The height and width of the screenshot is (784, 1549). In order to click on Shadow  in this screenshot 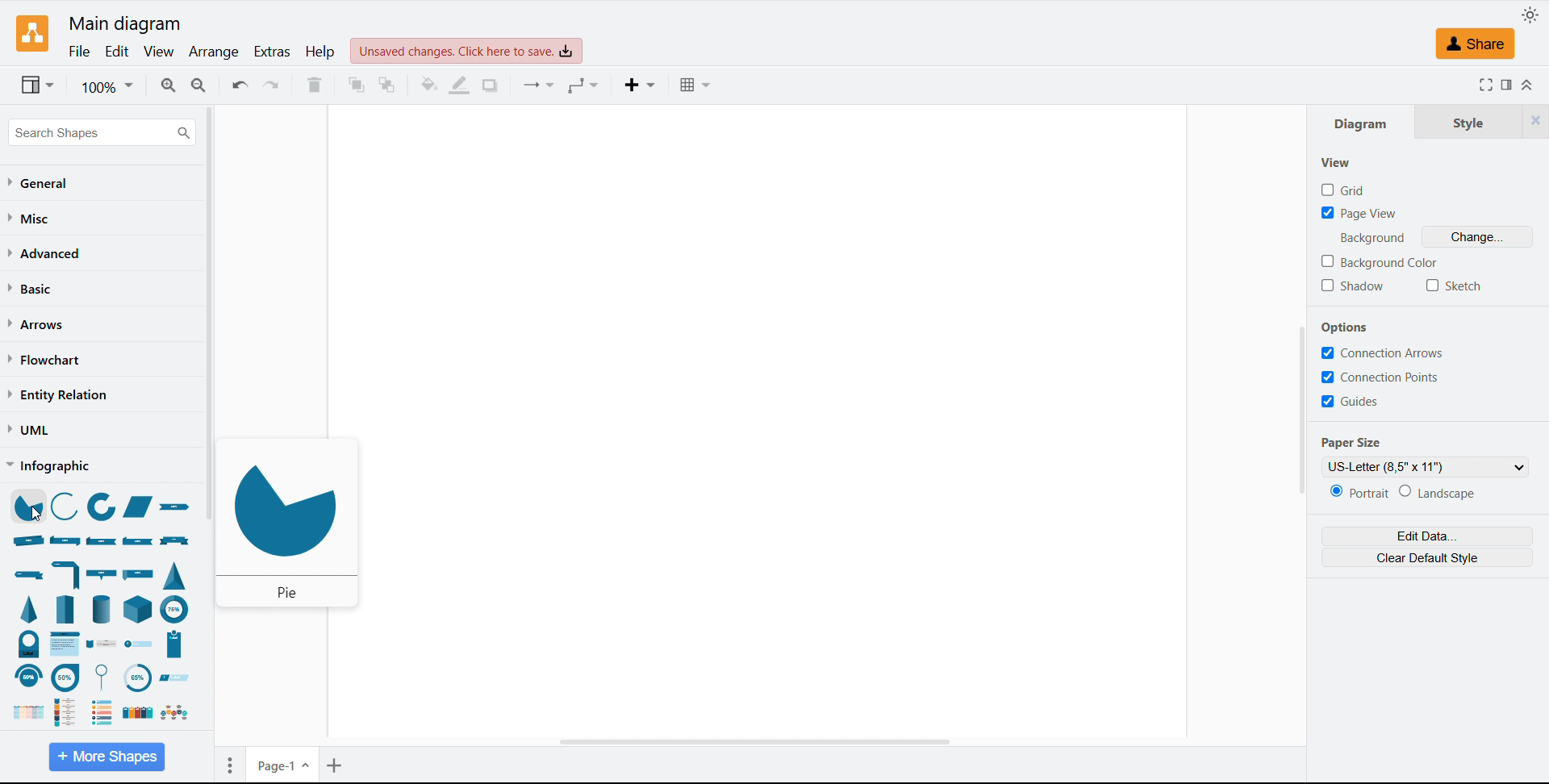, I will do `click(490, 85)`.